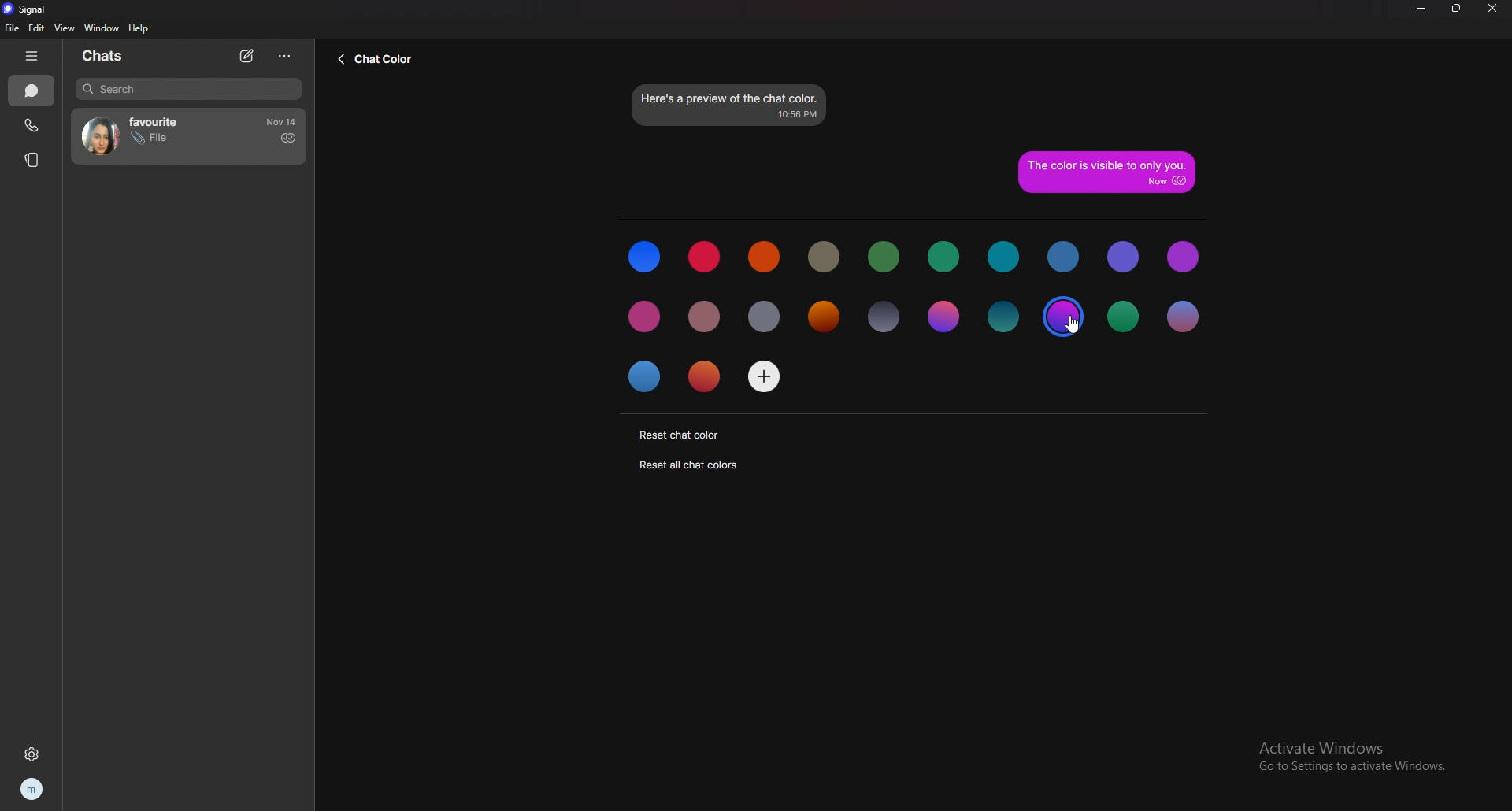 The width and height of the screenshot is (1512, 811). I want to click on color, so click(644, 257).